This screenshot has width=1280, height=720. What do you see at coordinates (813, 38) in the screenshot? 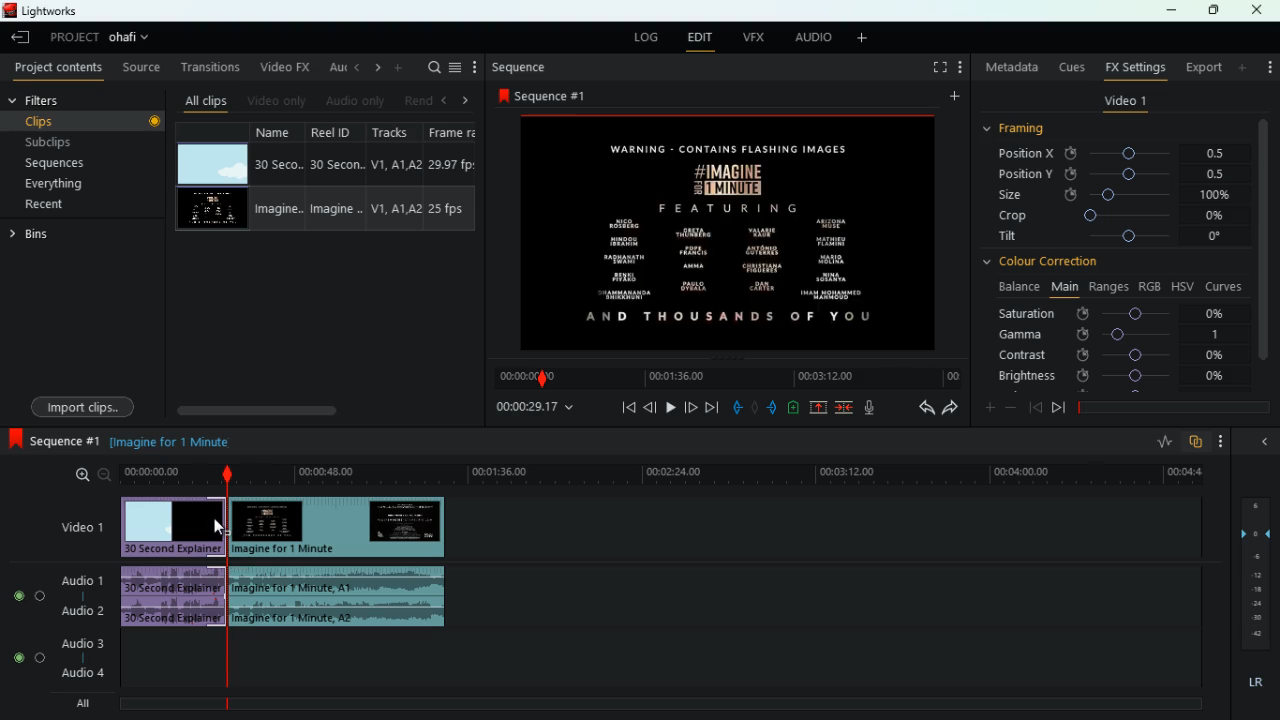
I see `audio` at bounding box center [813, 38].